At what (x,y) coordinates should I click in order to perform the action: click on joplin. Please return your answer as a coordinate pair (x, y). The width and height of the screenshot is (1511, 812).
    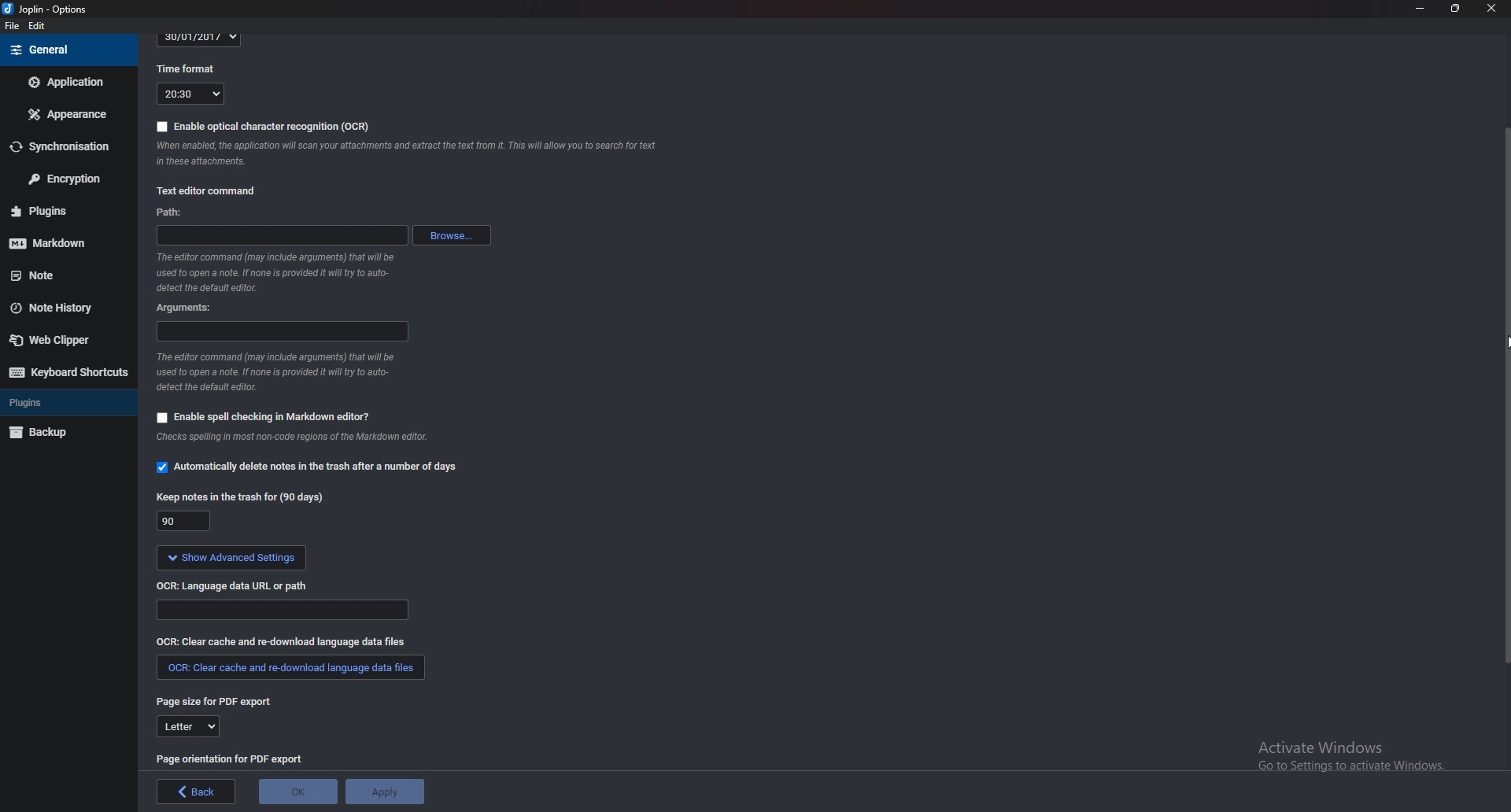
    Looking at the image, I should click on (48, 9).